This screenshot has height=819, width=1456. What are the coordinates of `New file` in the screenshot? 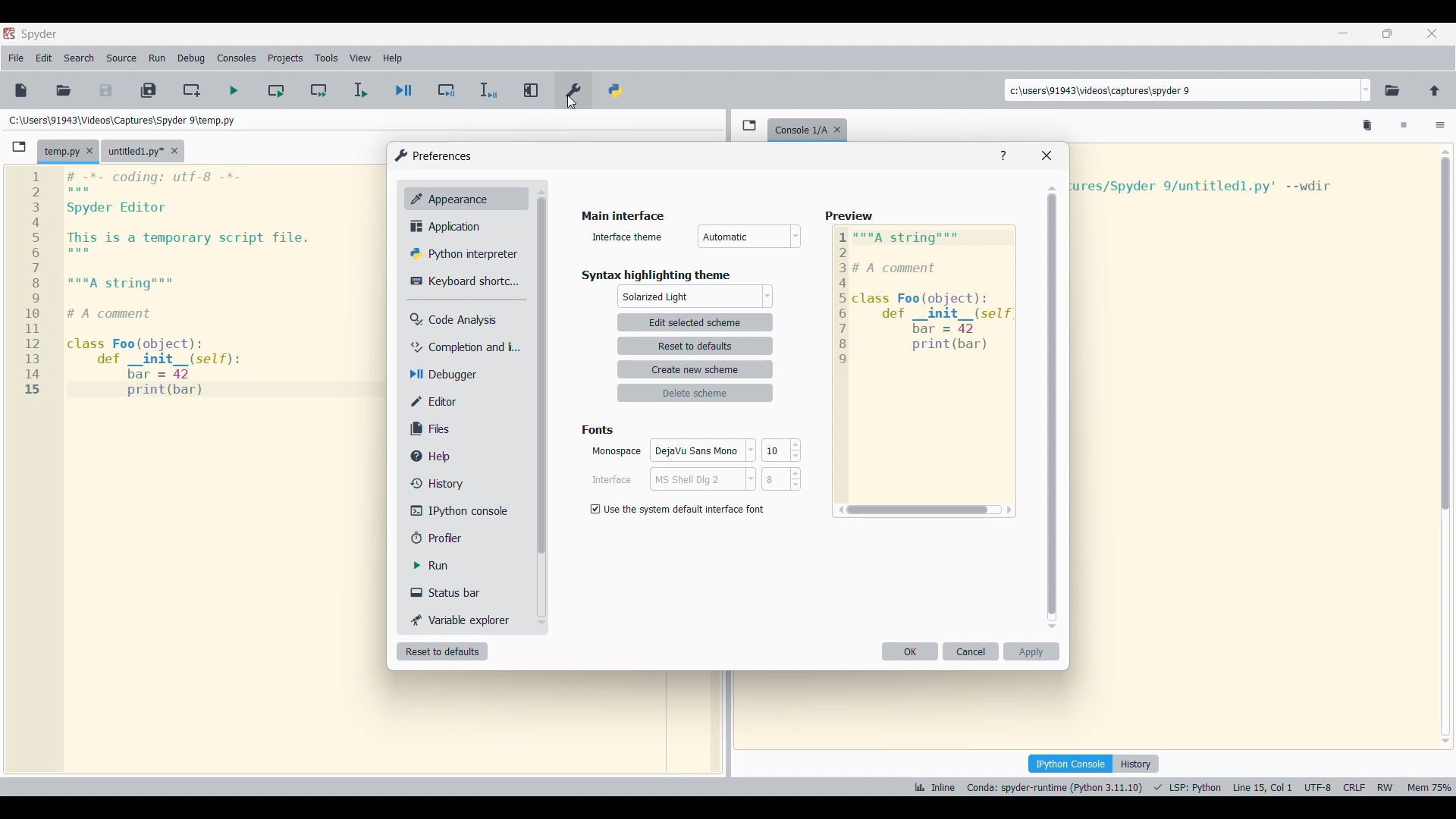 It's located at (20, 91).